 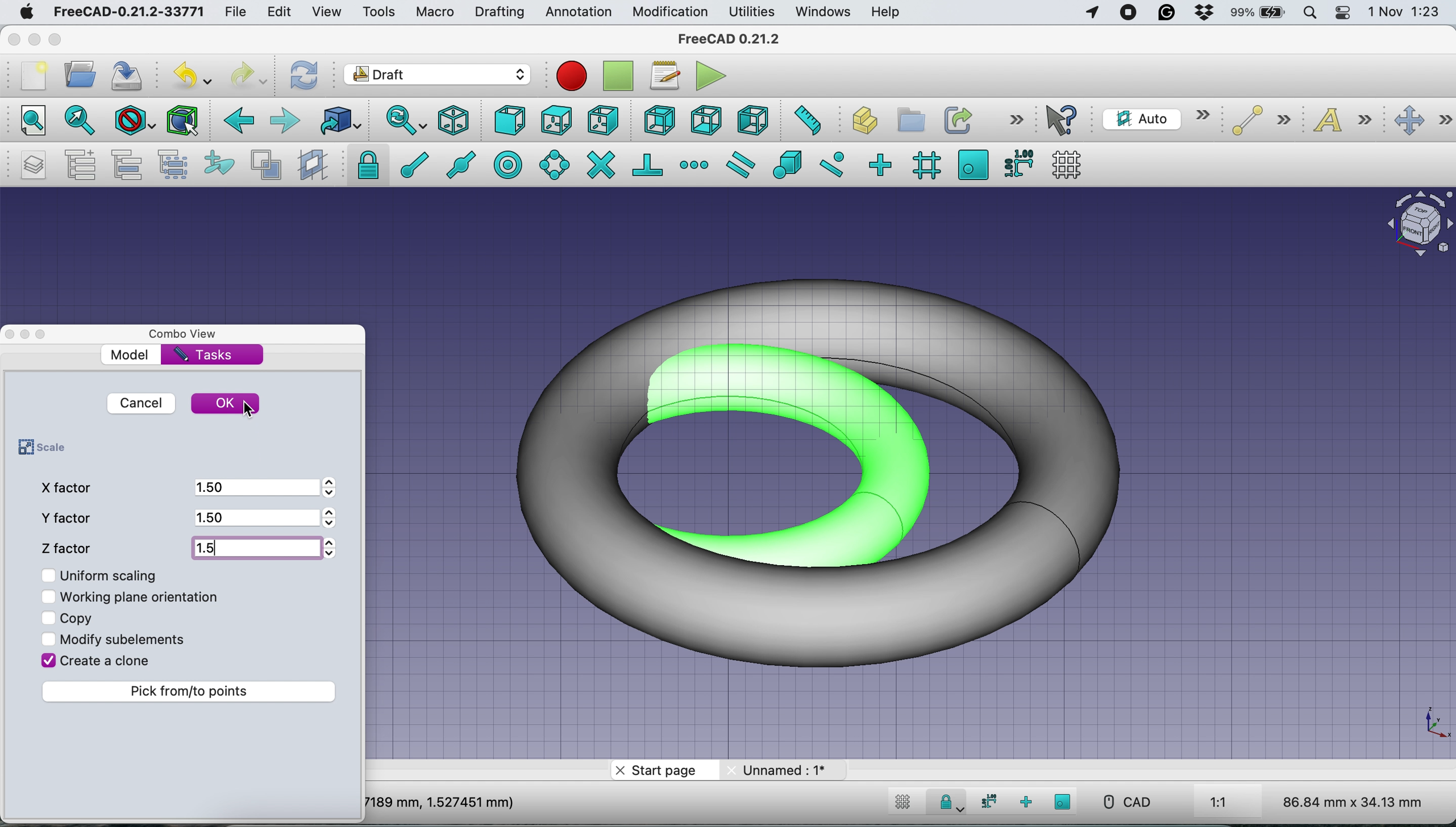 I want to click on x factor, so click(x=69, y=487).